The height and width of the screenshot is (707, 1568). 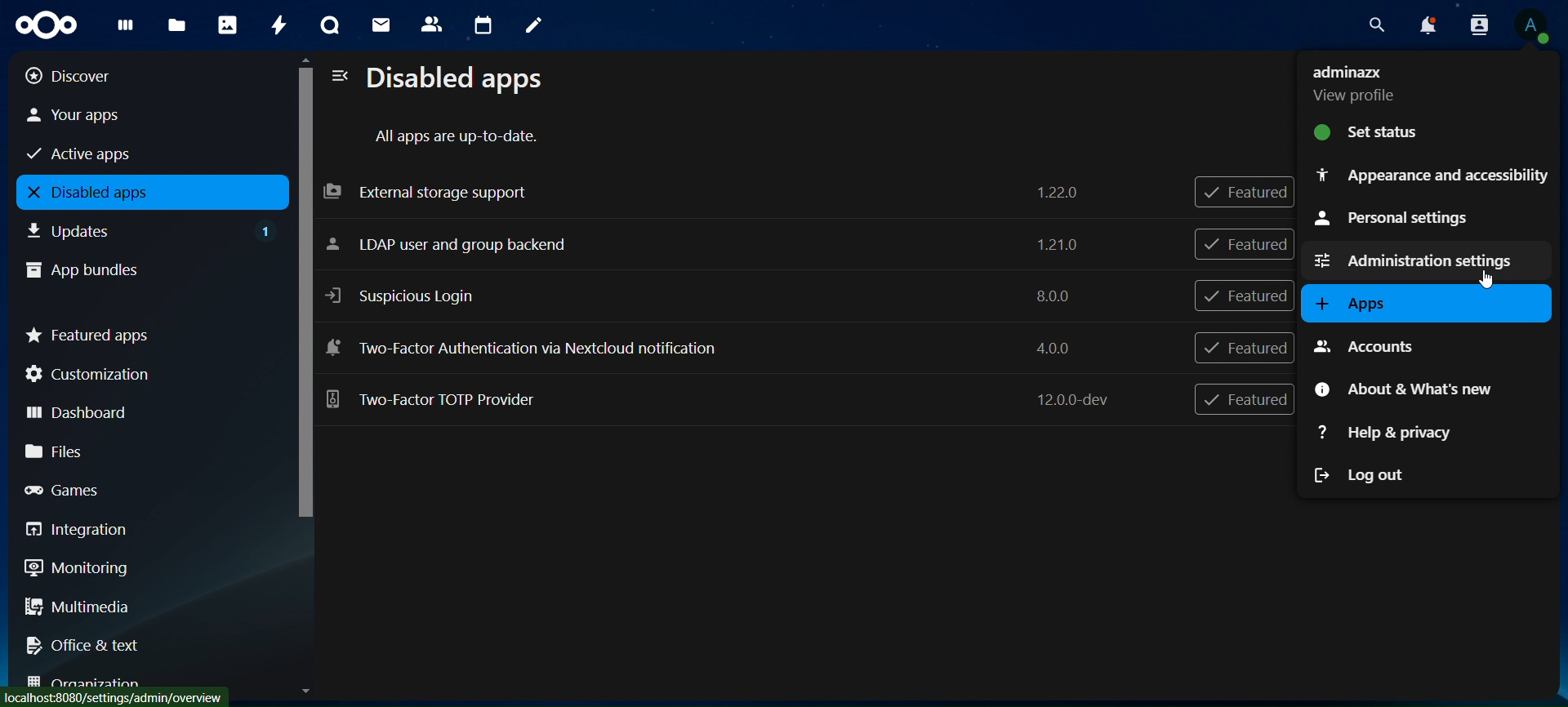 I want to click on contact, so click(x=432, y=23).